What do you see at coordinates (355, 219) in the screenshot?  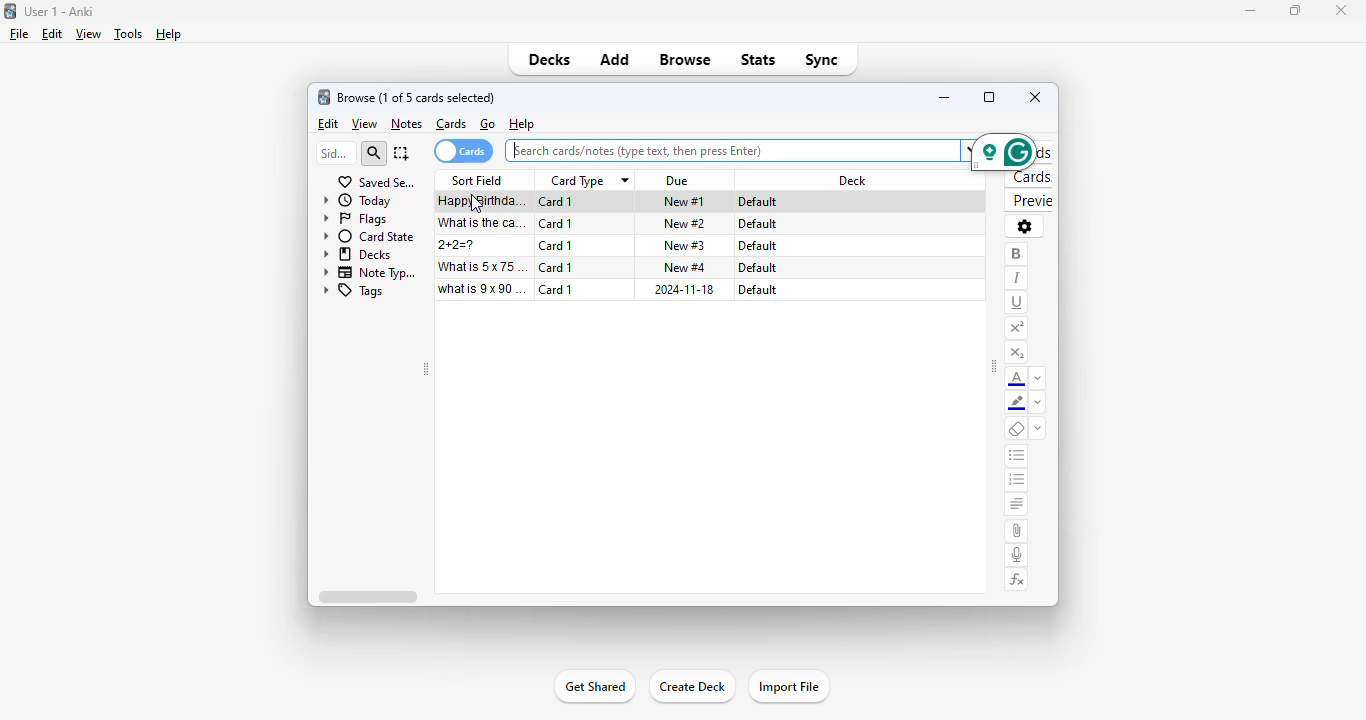 I see `flags` at bounding box center [355, 219].